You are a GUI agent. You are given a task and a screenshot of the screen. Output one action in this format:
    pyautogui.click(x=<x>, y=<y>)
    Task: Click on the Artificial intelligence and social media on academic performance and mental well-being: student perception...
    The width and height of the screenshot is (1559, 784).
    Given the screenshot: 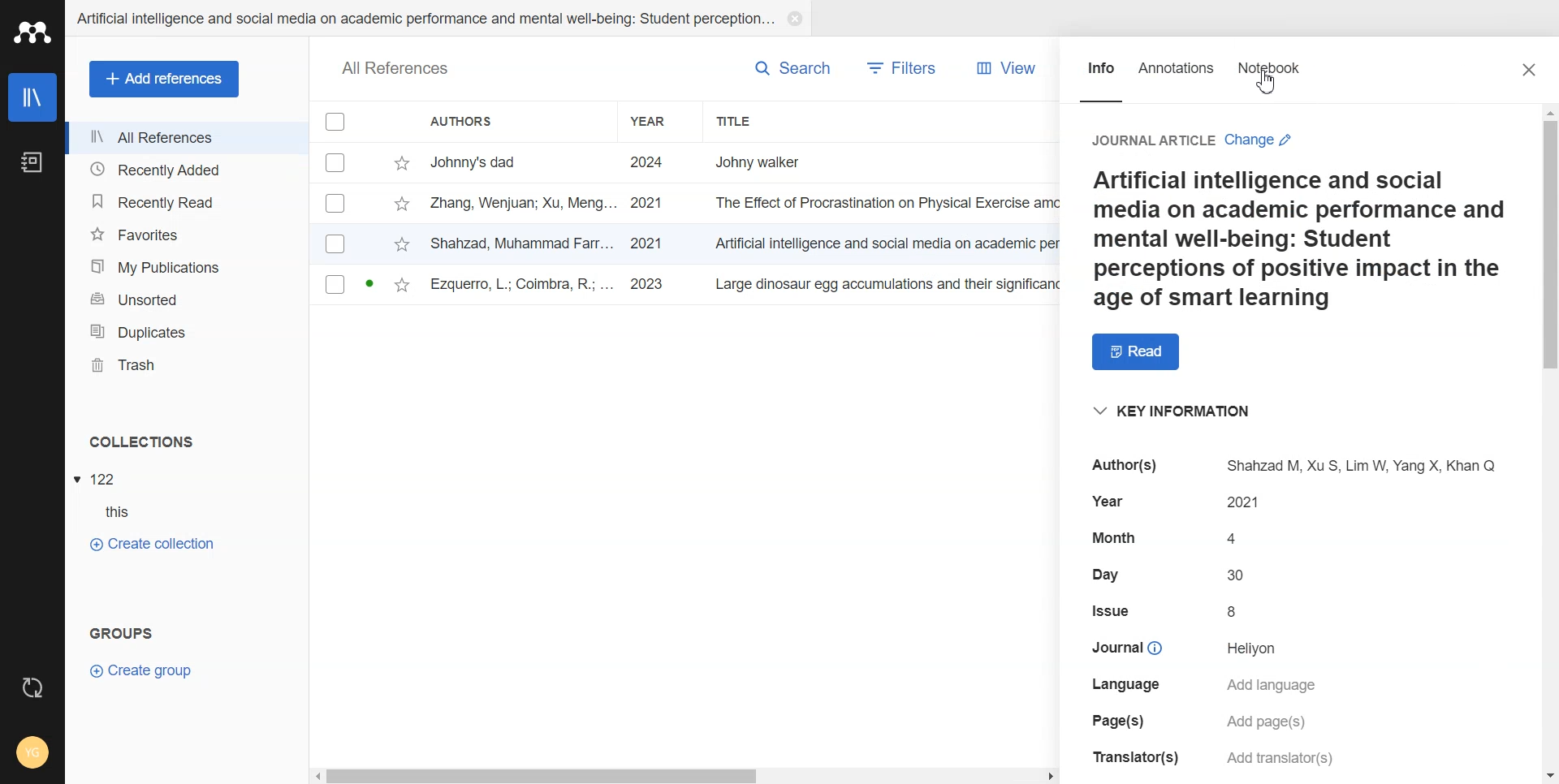 What is the action you would take?
    pyautogui.click(x=424, y=19)
    